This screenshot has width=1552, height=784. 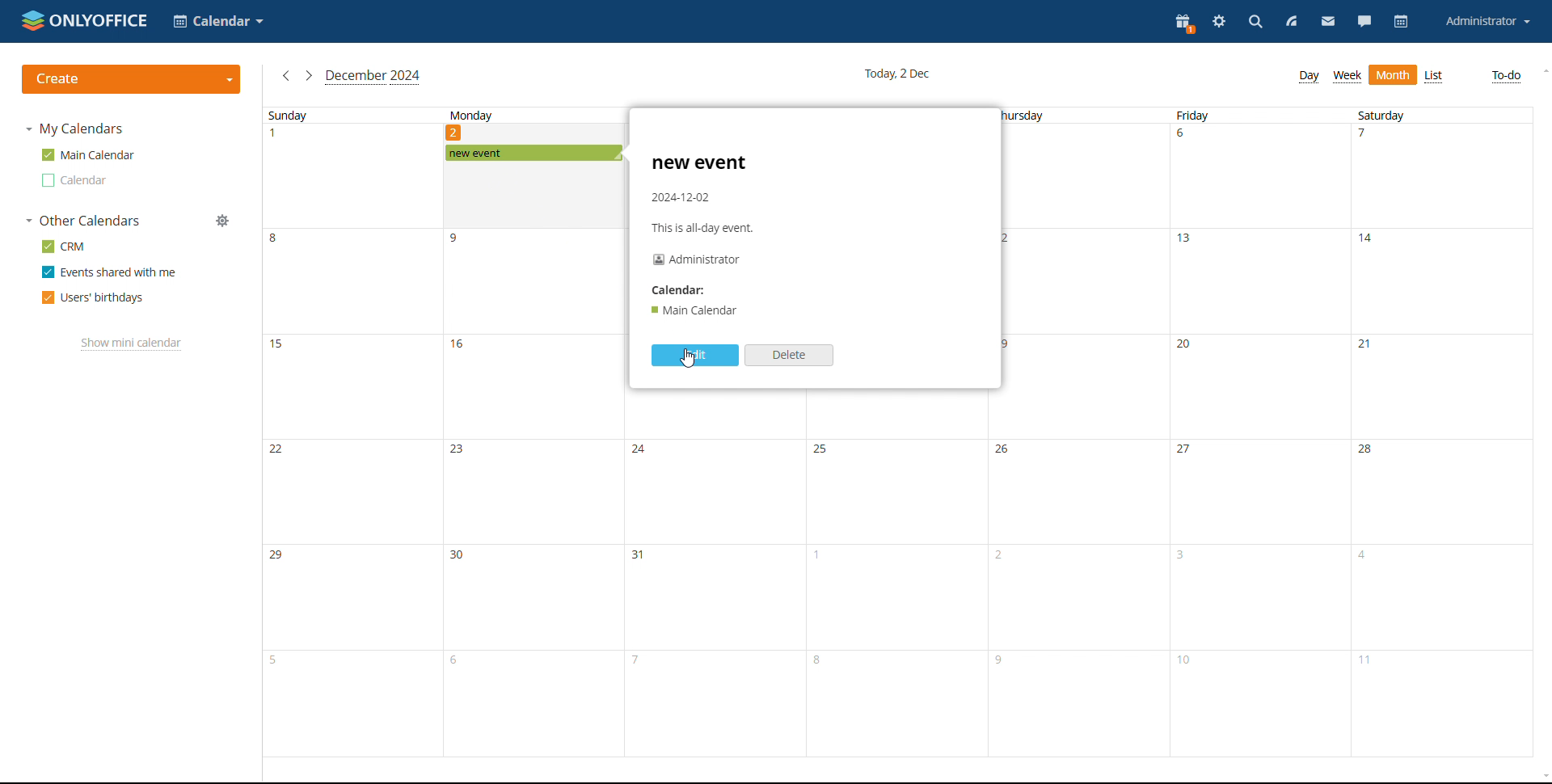 I want to click on present, so click(x=1183, y=23).